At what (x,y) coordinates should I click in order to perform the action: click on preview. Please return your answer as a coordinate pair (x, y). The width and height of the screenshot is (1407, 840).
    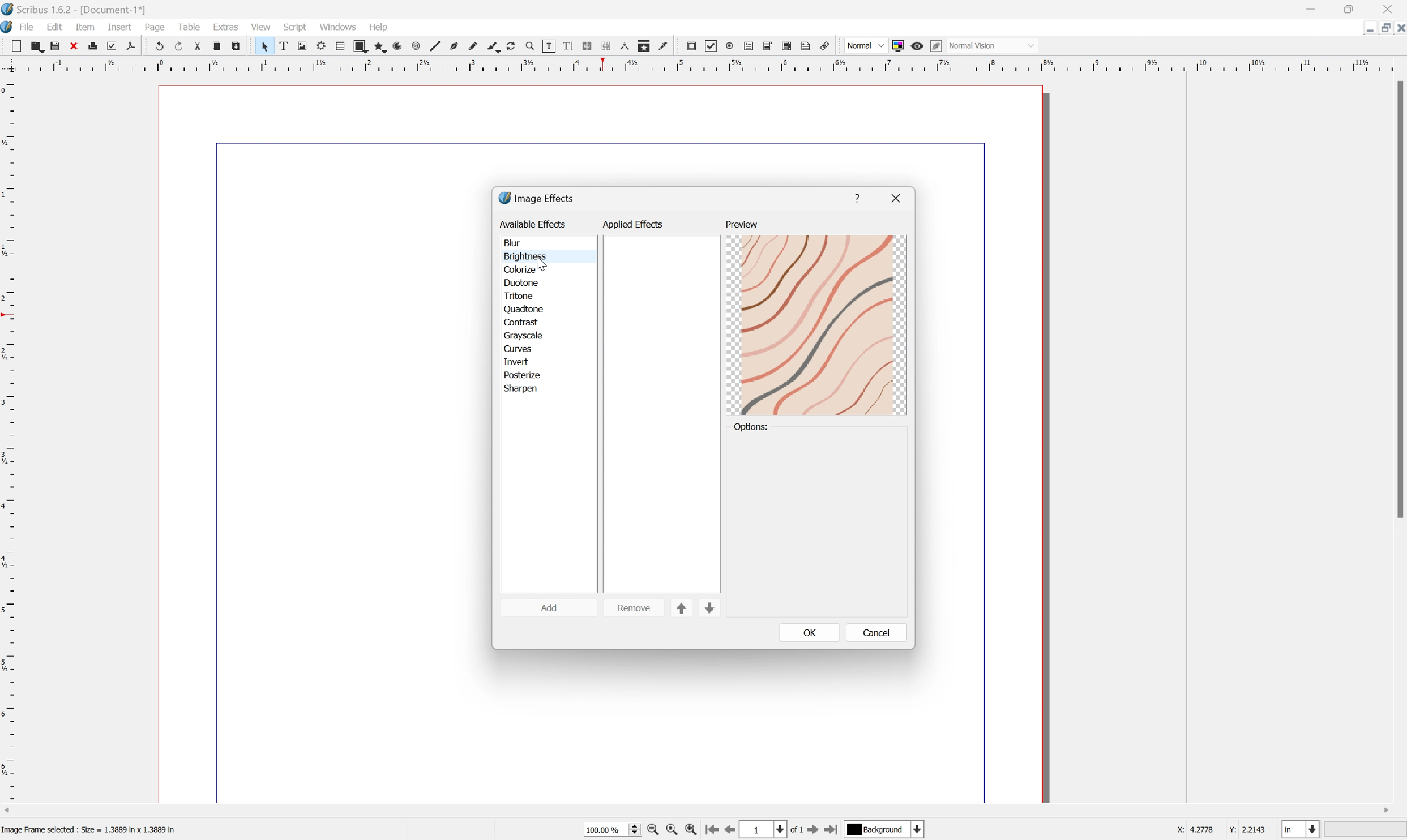
    Looking at the image, I should click on (742, 226).